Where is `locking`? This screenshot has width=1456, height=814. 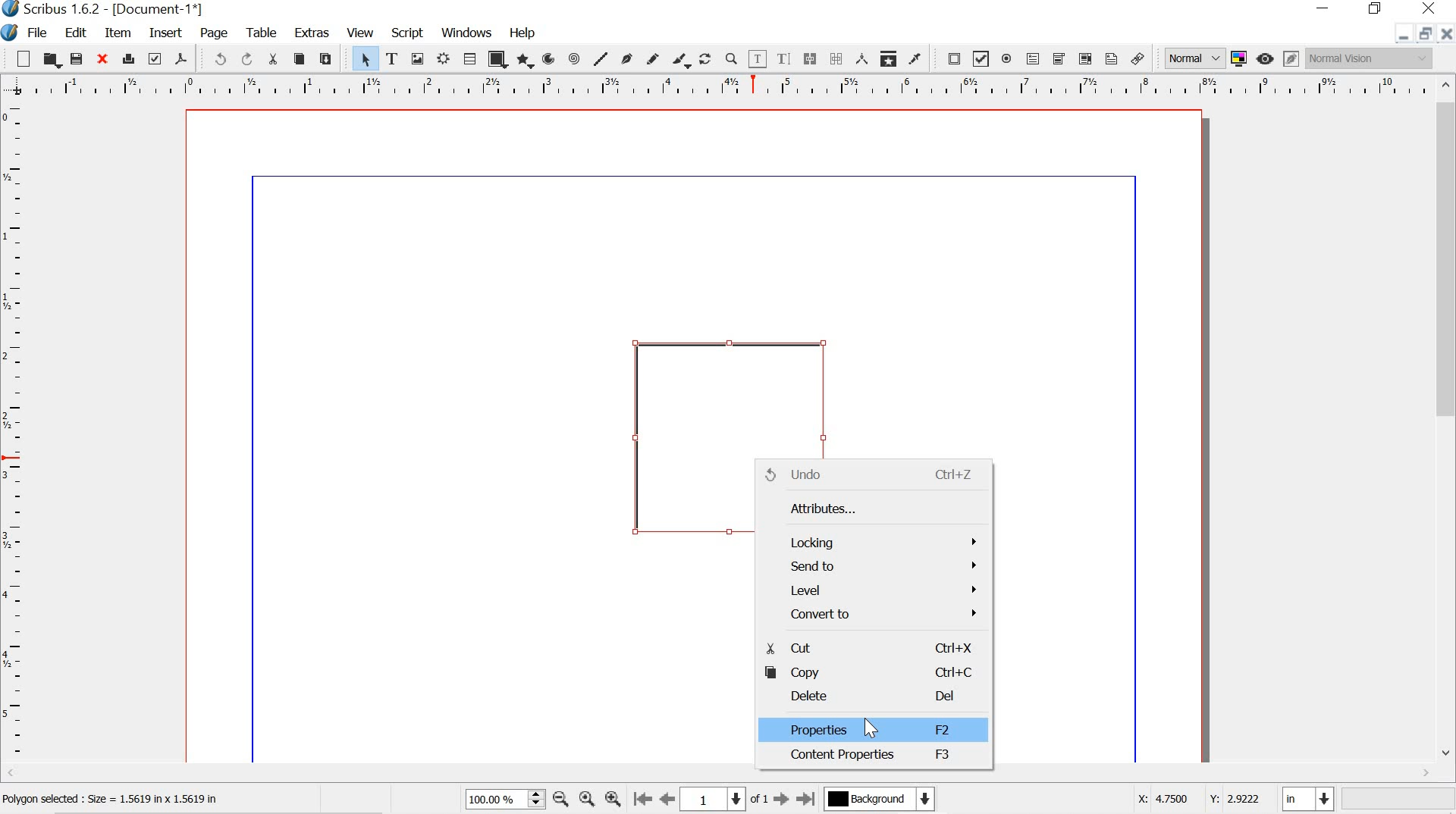 locking is located at coordinates (871, 539).